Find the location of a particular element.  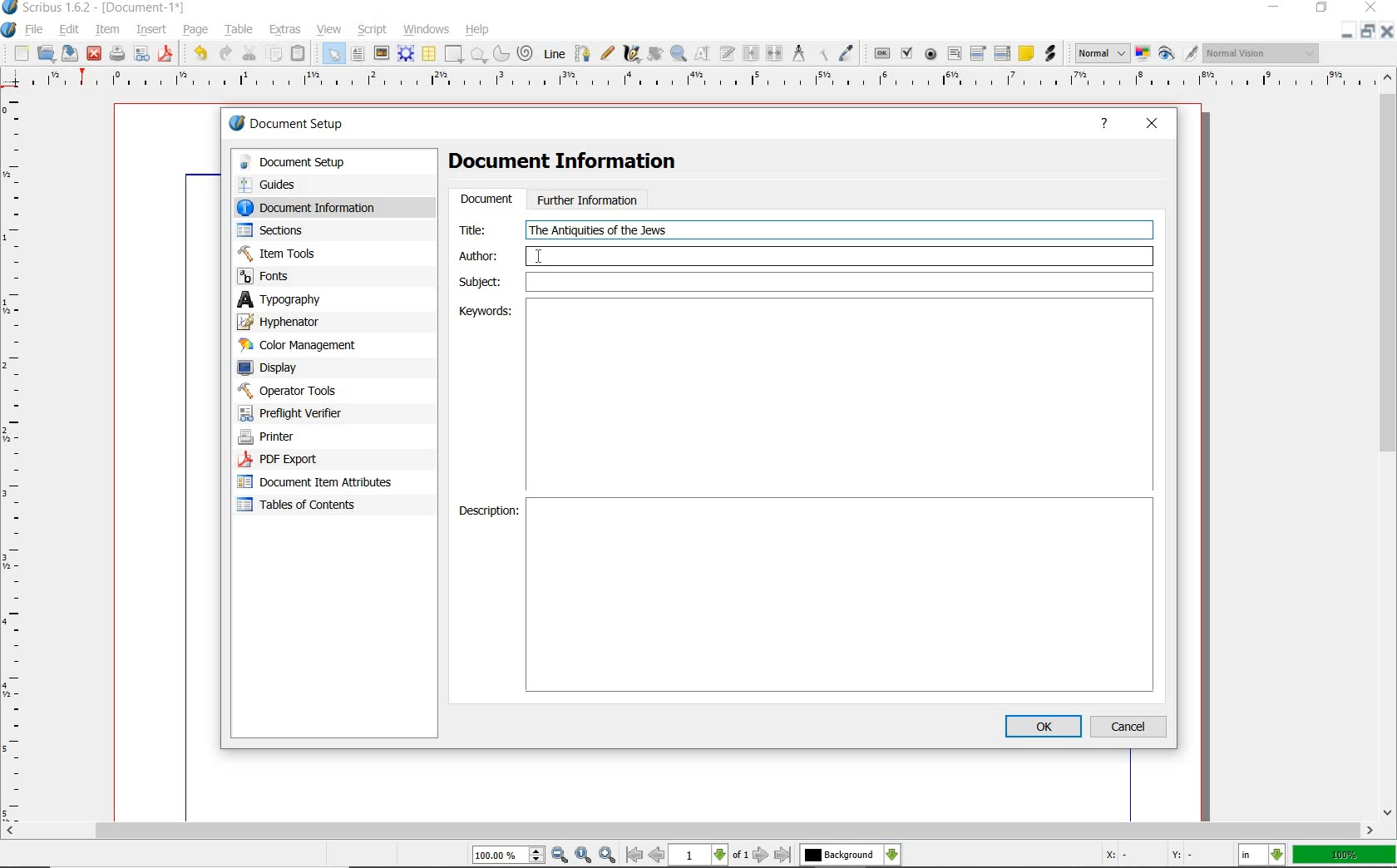

windows is located at coordinates (427, 30).